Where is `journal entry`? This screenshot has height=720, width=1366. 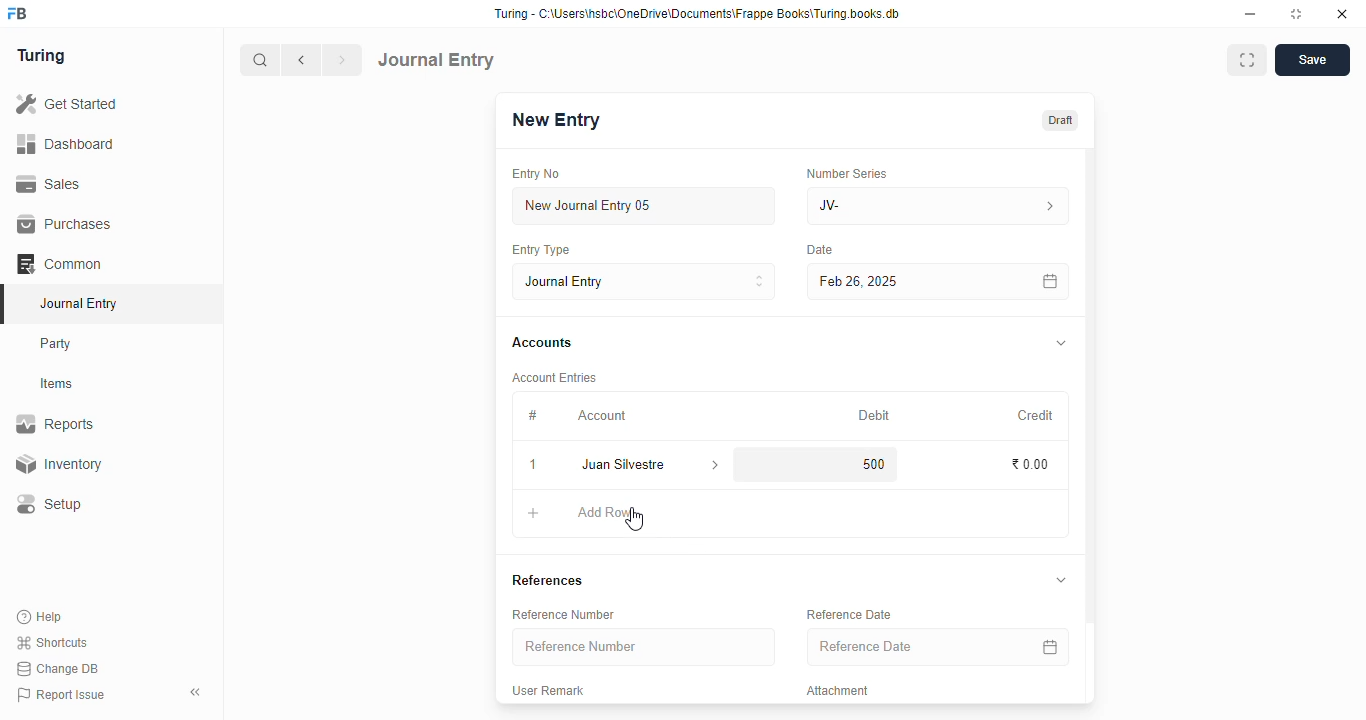 journal entry is located at coordinates (645, 281).